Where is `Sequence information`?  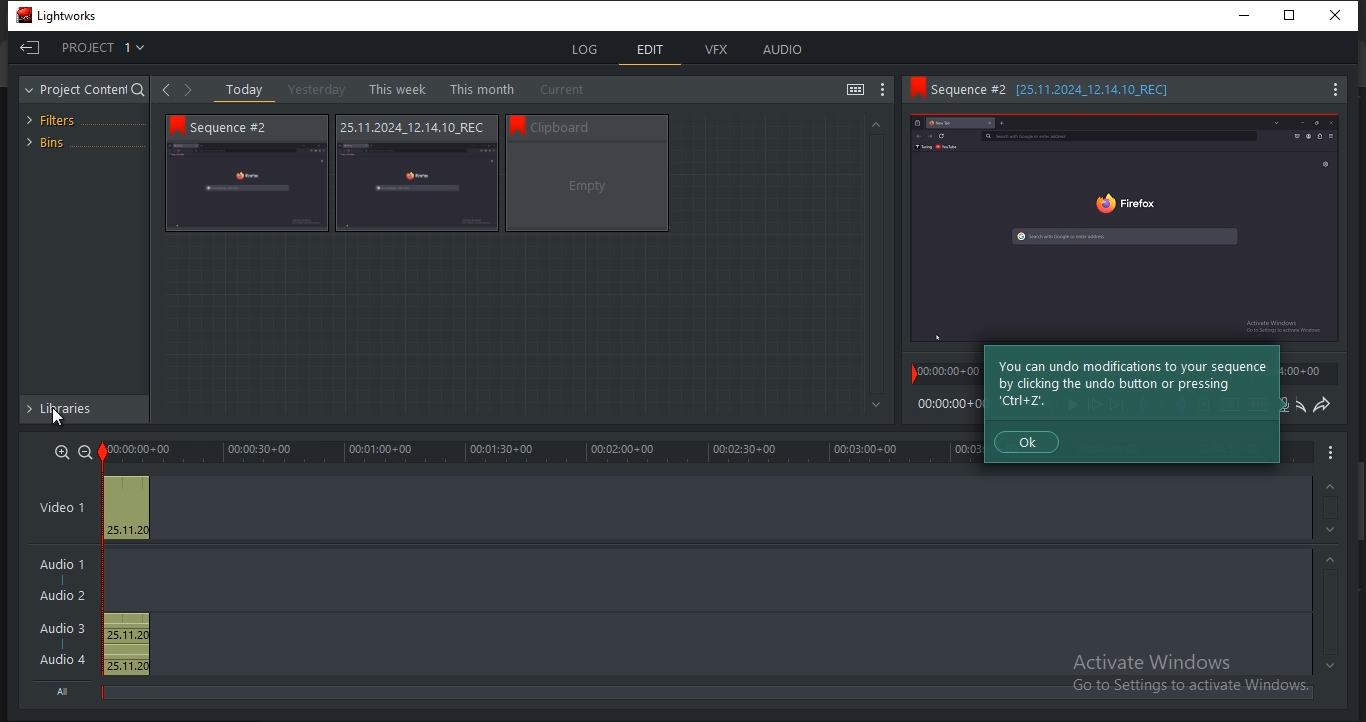
Sequence information is located at coordinates (411, 128).